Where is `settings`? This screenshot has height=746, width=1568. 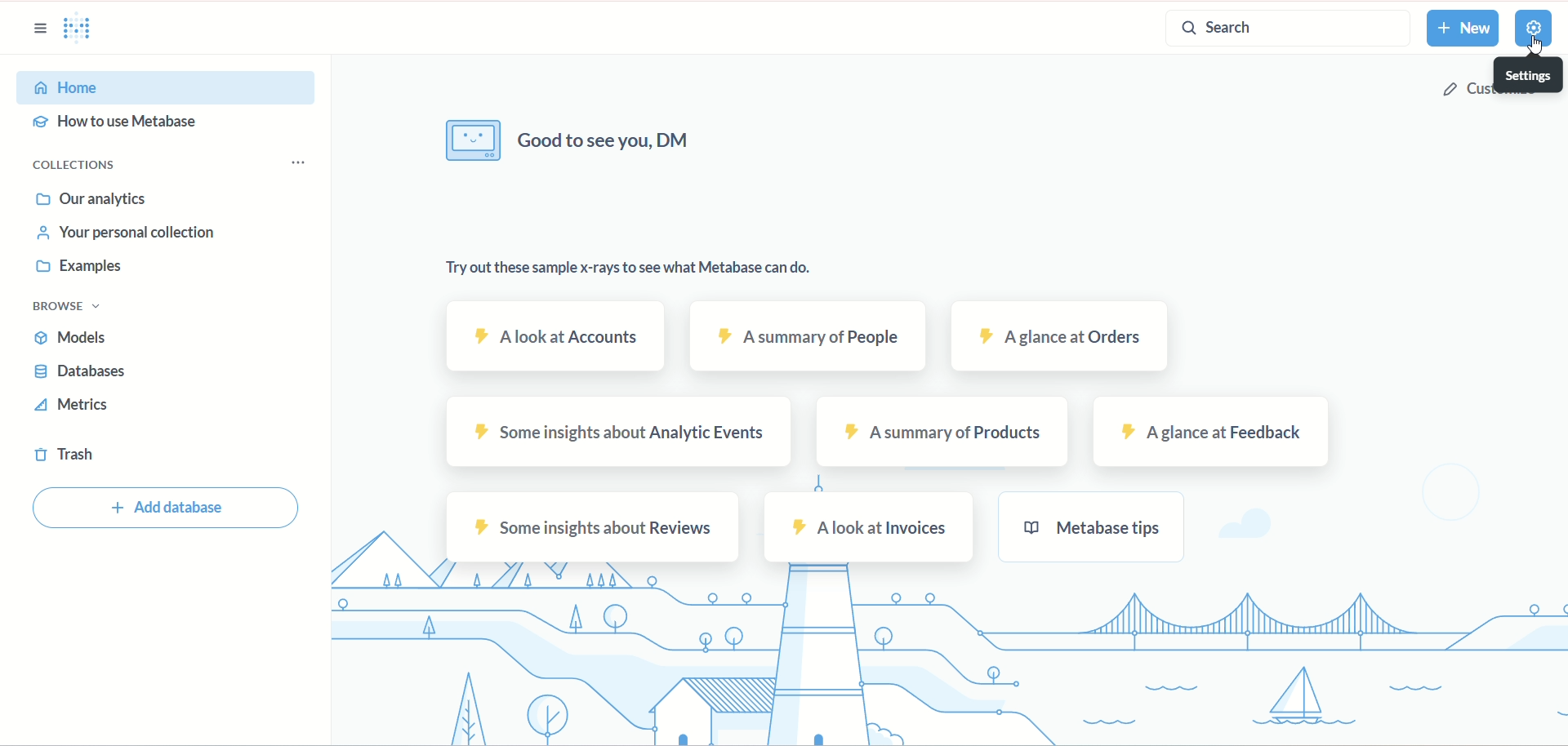
settings is located at coordinates (1530, 72).